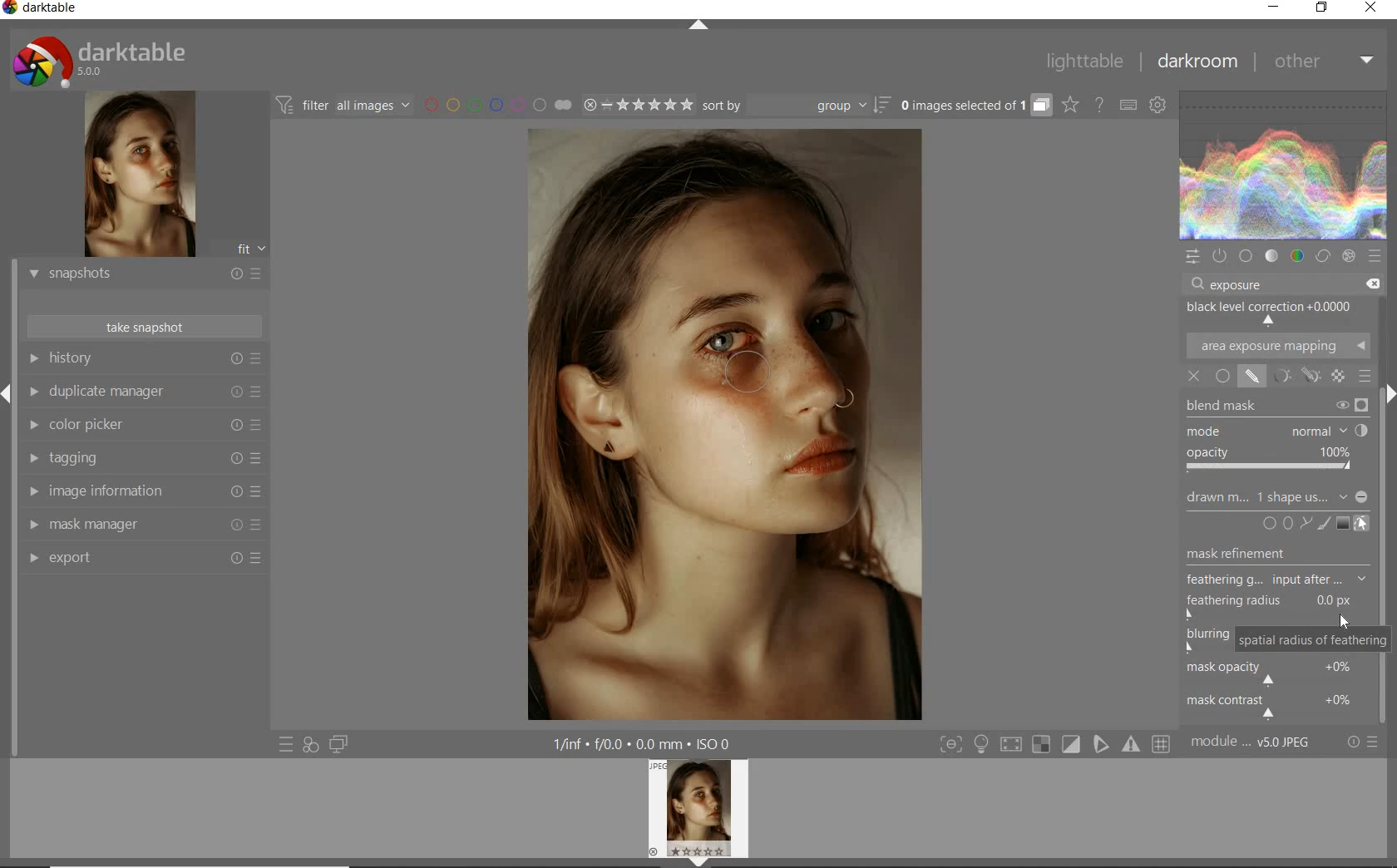 The width and height of the screenshot is (1397, 868). What do you see at coordinates (146, 327) in the screenshot?
I see `take snapshots` at bounding box center [146, 327].